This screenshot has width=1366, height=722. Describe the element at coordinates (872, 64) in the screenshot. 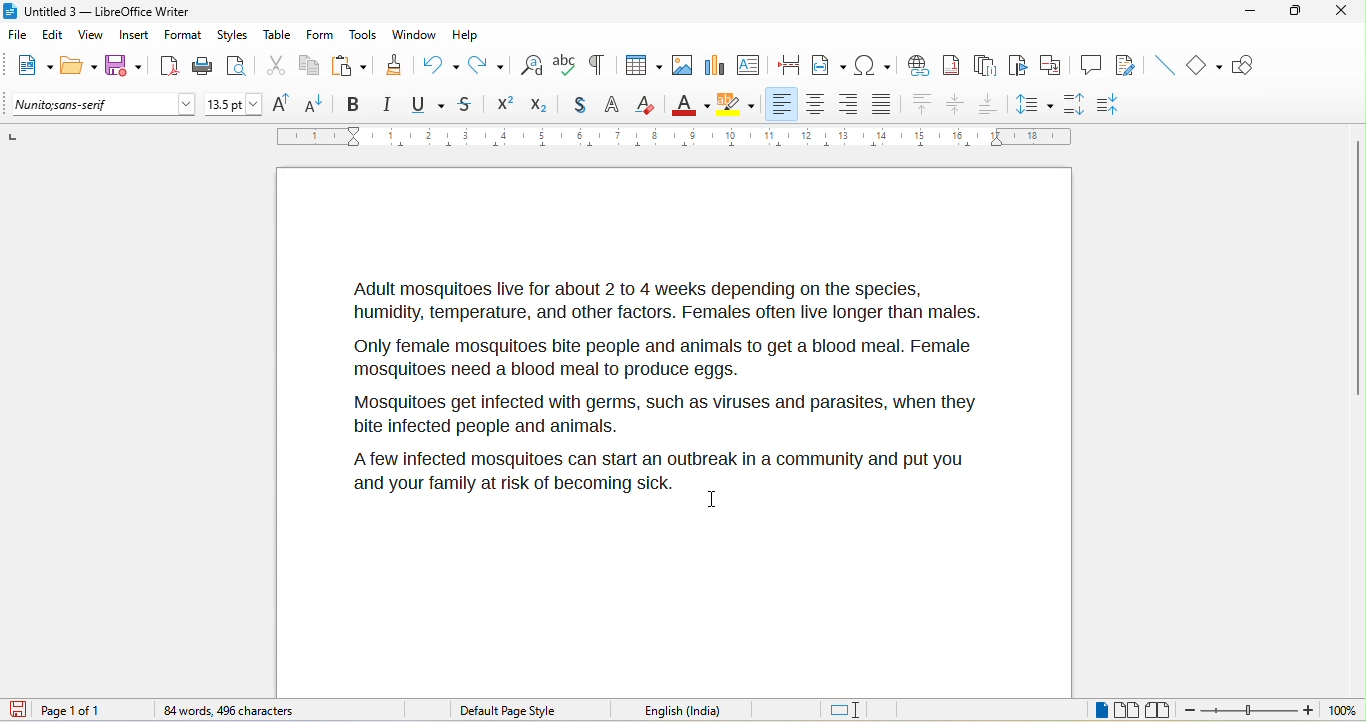

I see `special character` at that location.